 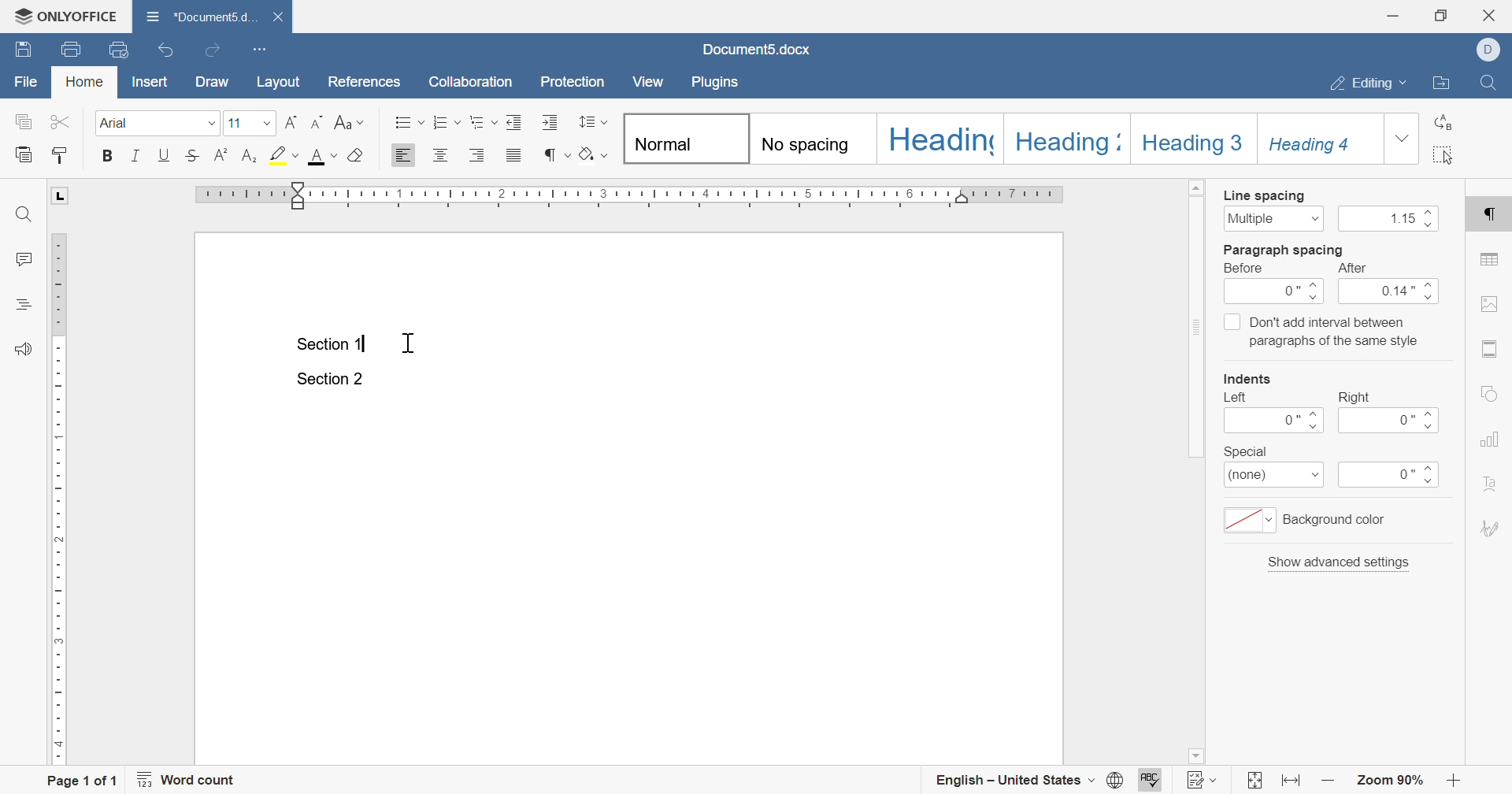 What do you see at coordinates (165, 50) in the screenshot?
I see `undo` at bounding box center [165, 50].